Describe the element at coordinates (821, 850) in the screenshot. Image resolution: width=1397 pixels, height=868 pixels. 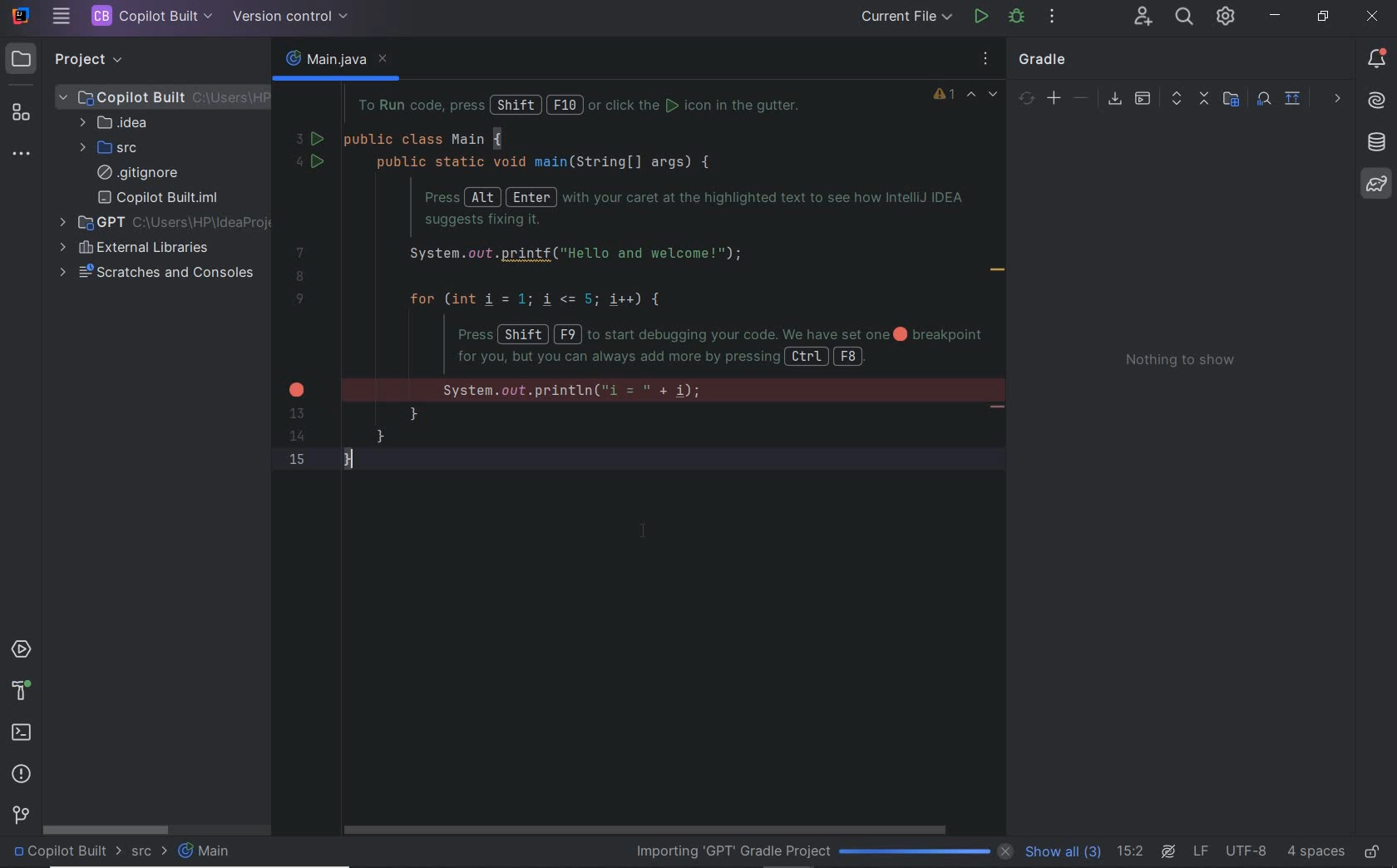
I see `importing 'GPT' Gradle Project` at that location.